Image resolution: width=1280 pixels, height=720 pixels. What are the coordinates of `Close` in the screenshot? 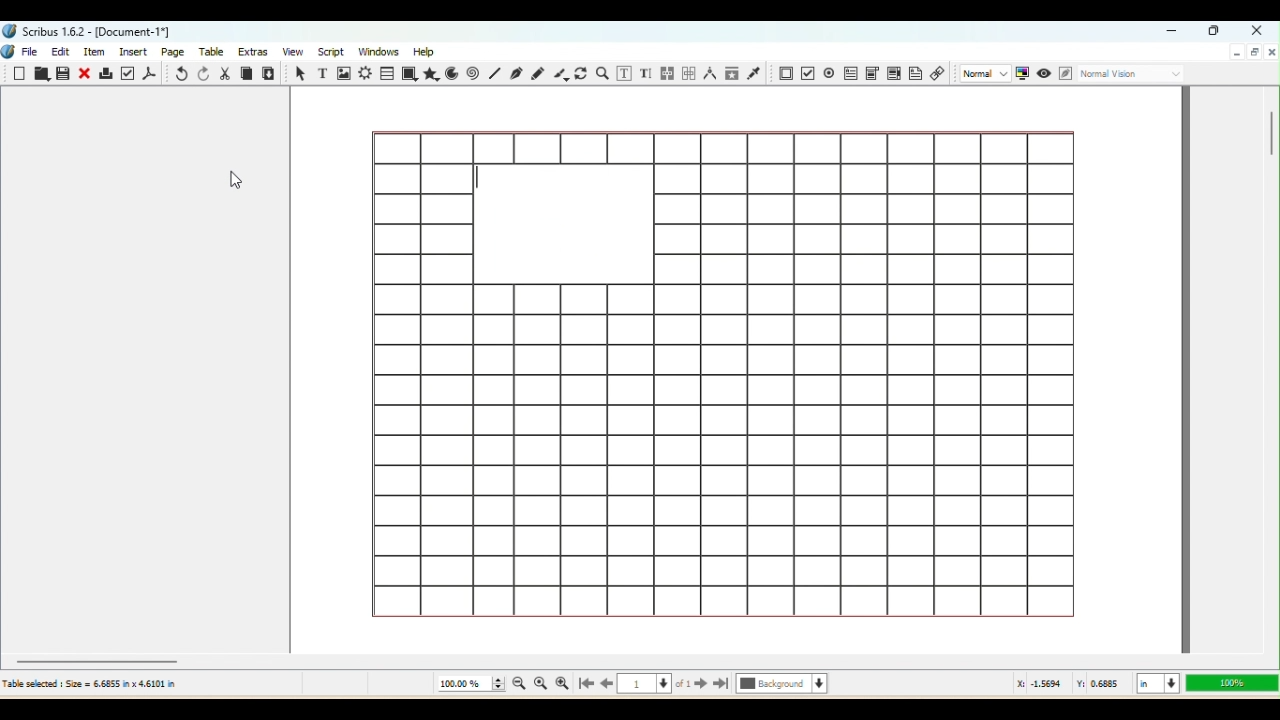 It's located at (86, 73).